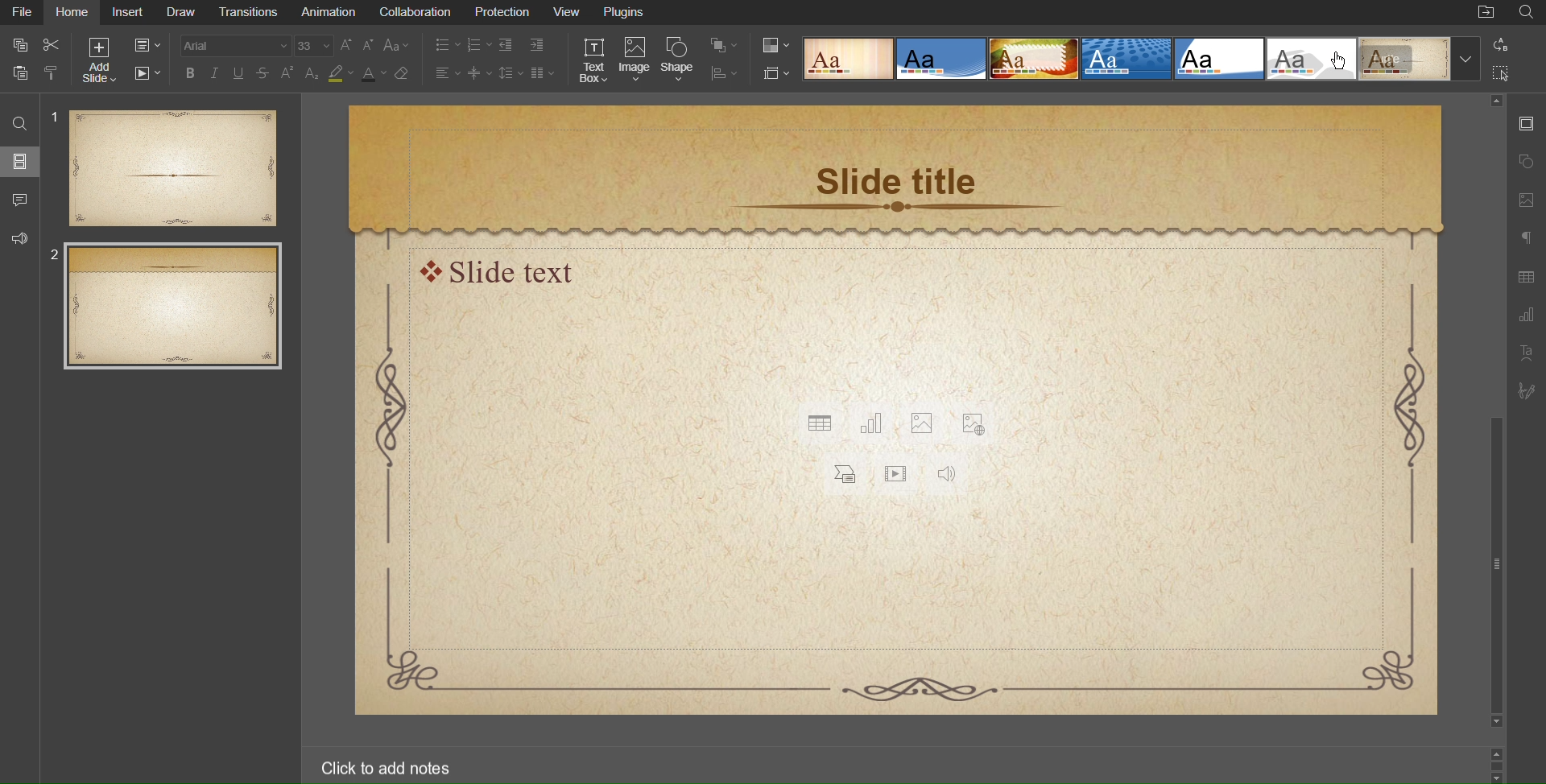  Describe the element at coordinates (777, 47) in the screenshot. I see `Color` at that location.